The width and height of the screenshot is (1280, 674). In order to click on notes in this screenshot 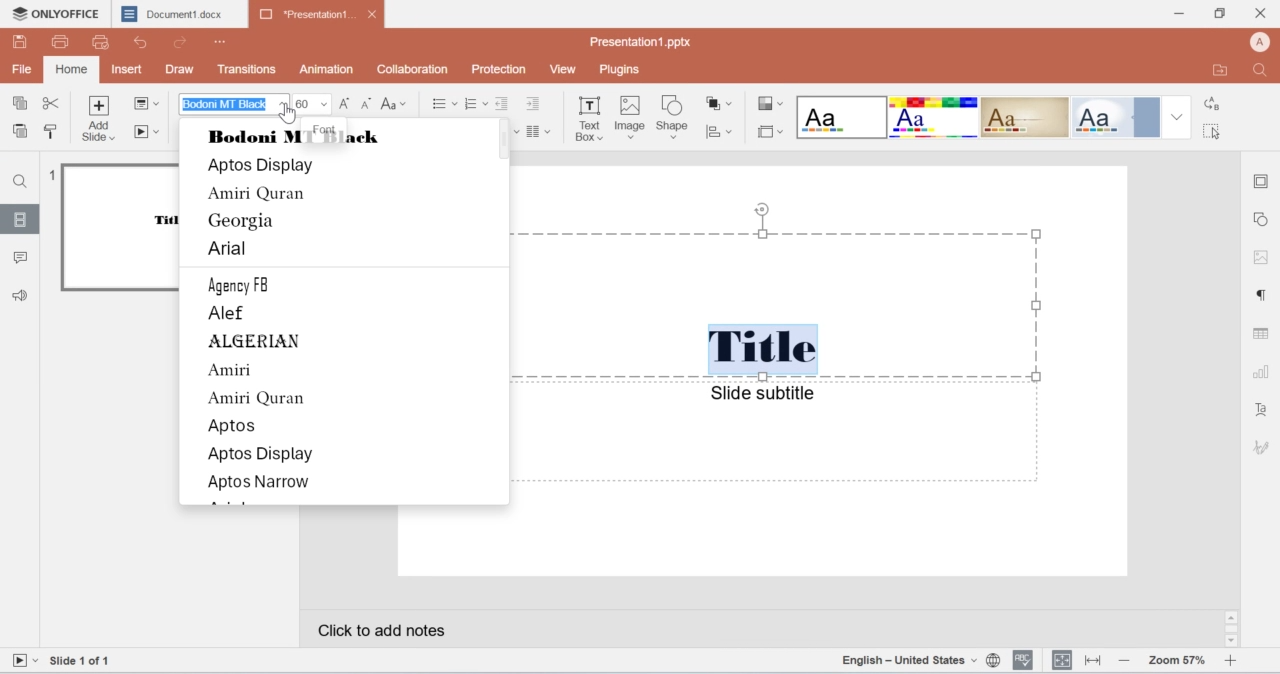, I will do `click(430, 633)`.